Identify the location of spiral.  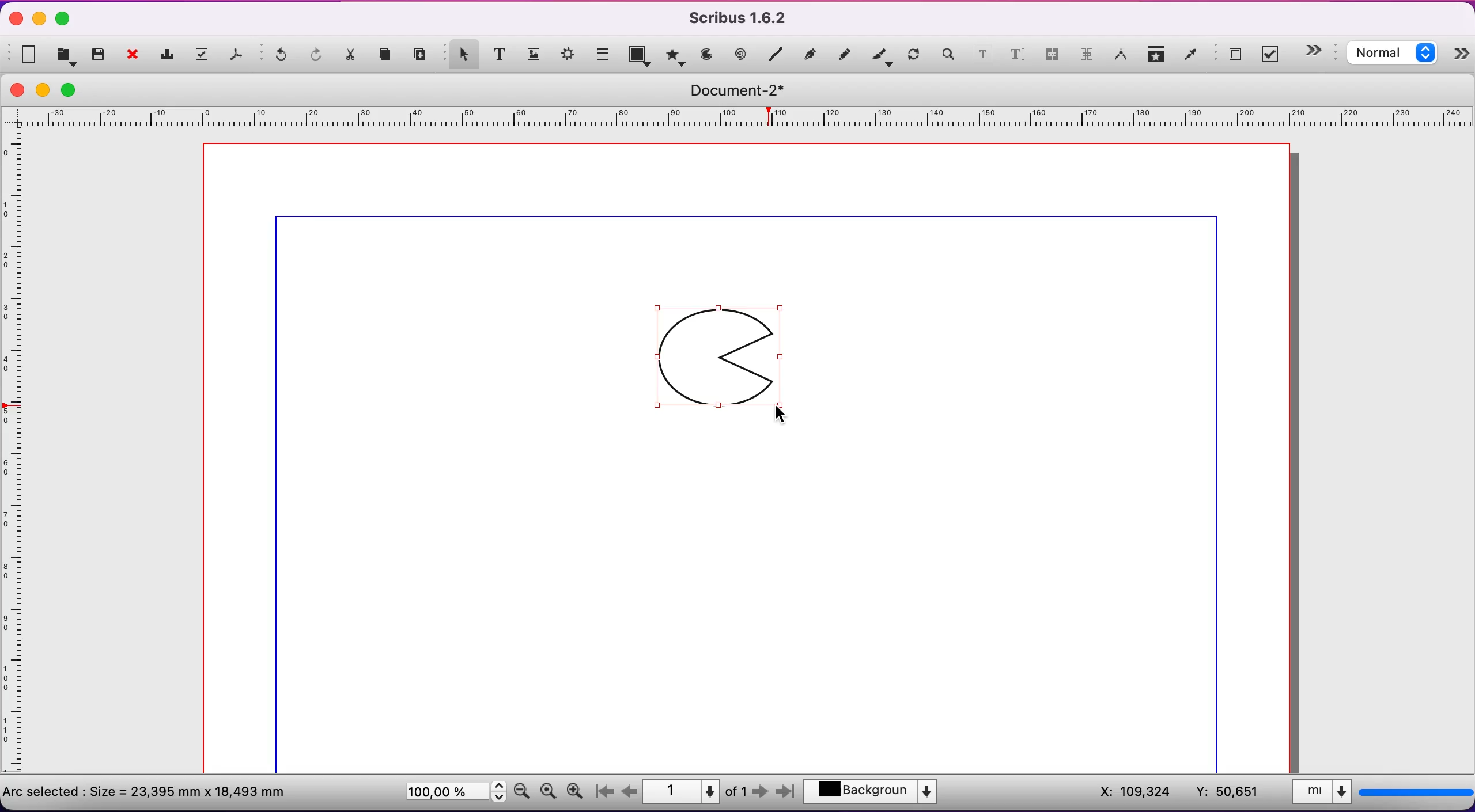
(742, 55).